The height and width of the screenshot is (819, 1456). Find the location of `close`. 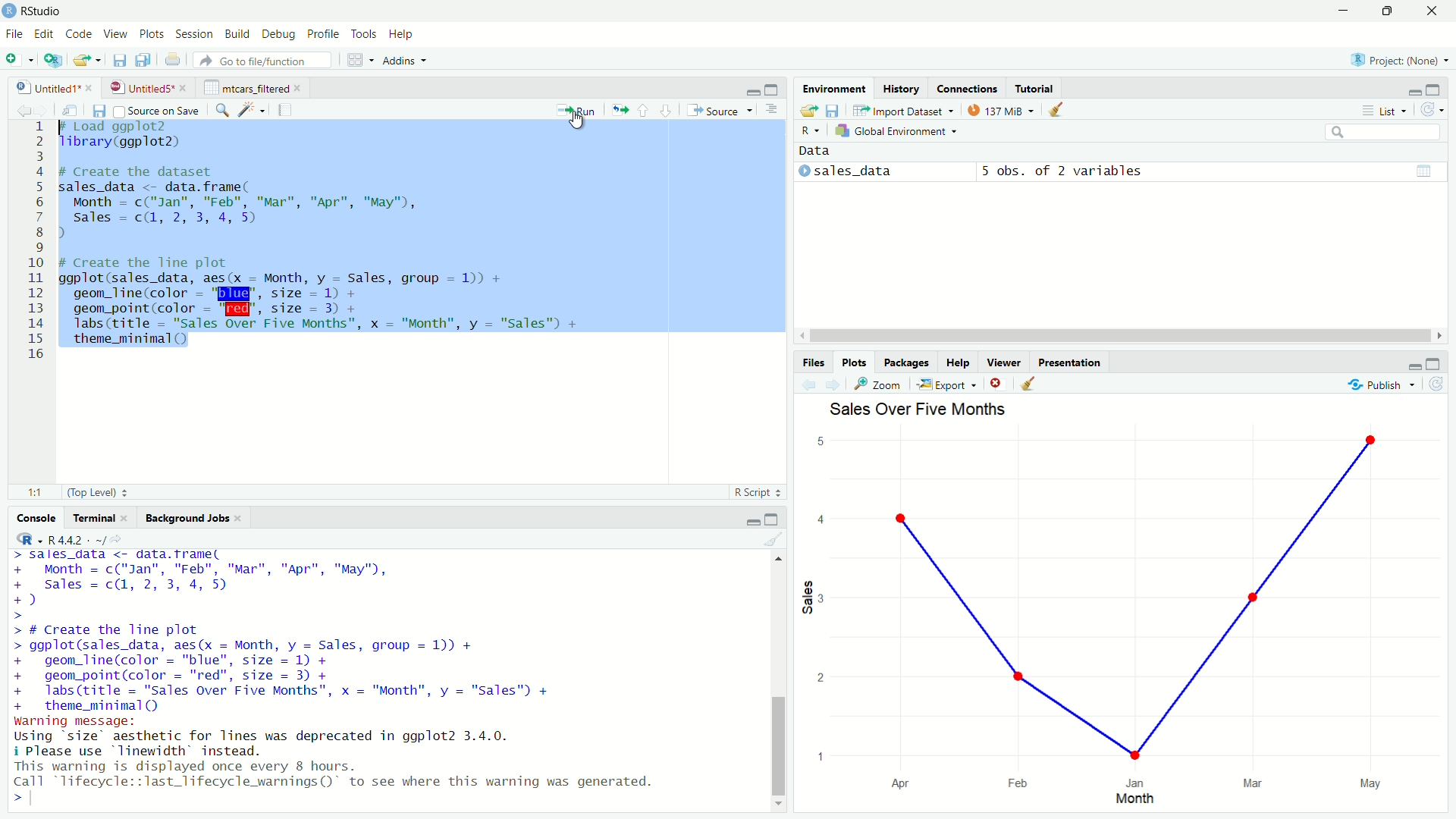

close is located at coordinates (130, 518).